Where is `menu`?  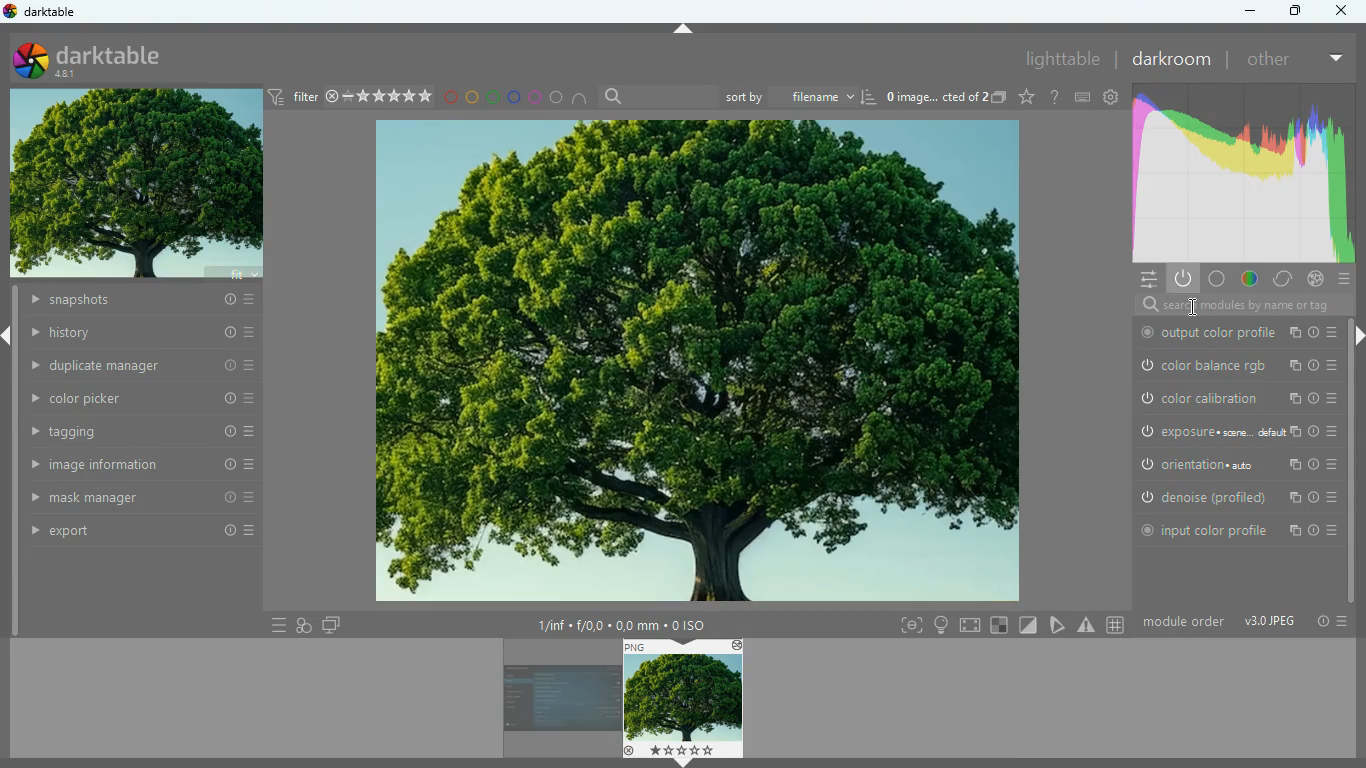 menu is located at coordinates (1342, 622).